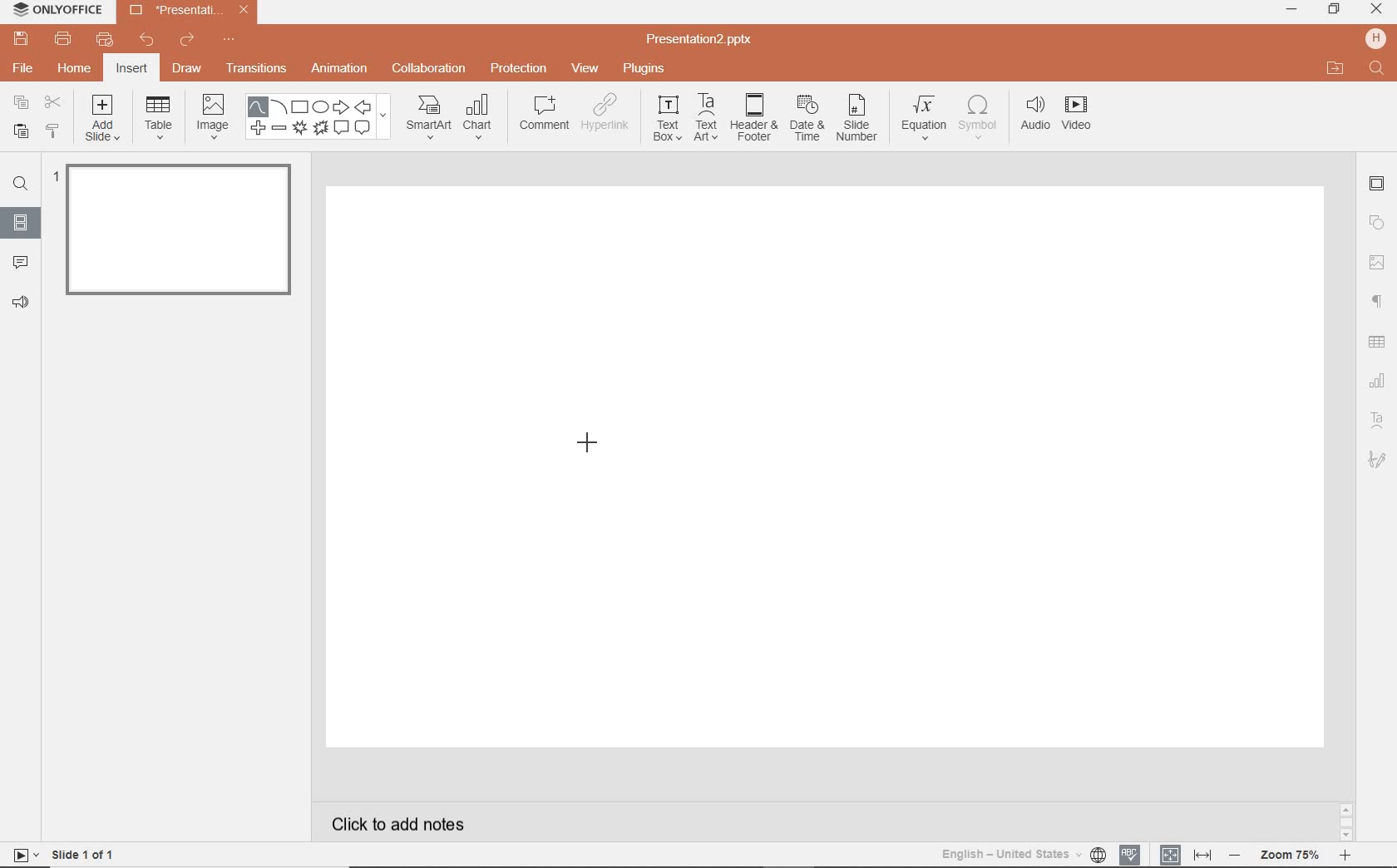 Image resolution: width=1397 pixels, height=868 pixels. I want to click on IMAGE, so click(213, 115).